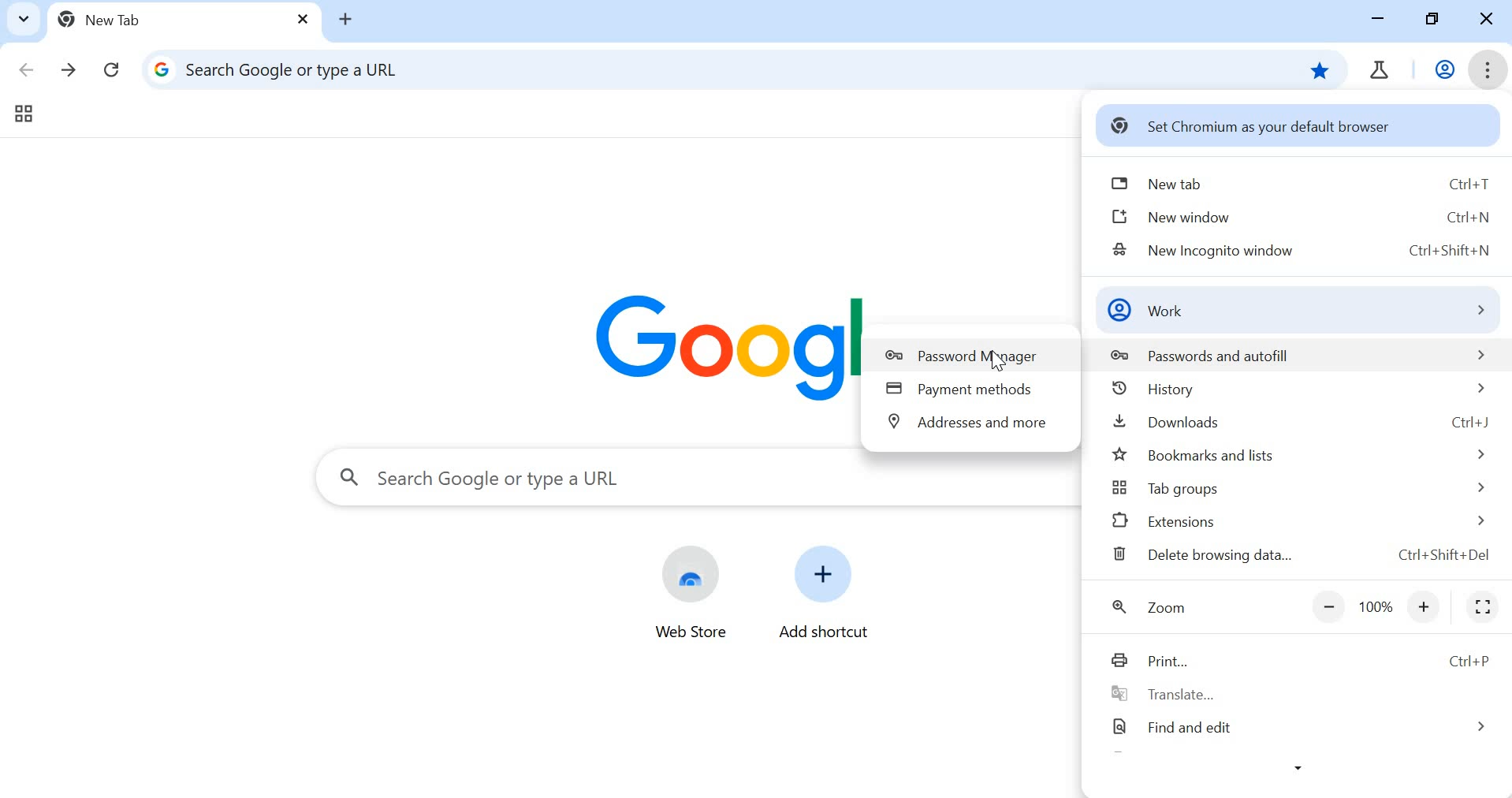  What do you see at coordinates (1148, 605) in the screenshot?
I see `zoom` at bounding box center [1148, 605].